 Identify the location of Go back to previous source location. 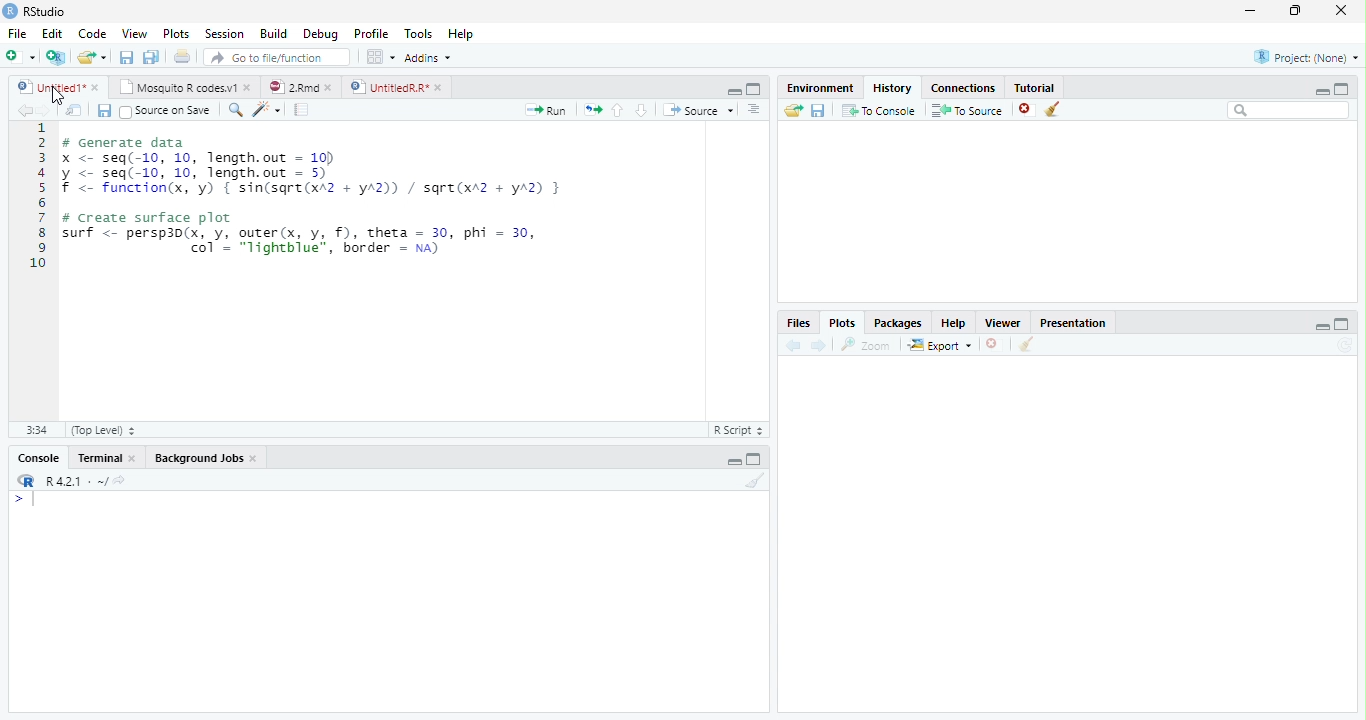
(24, 110).